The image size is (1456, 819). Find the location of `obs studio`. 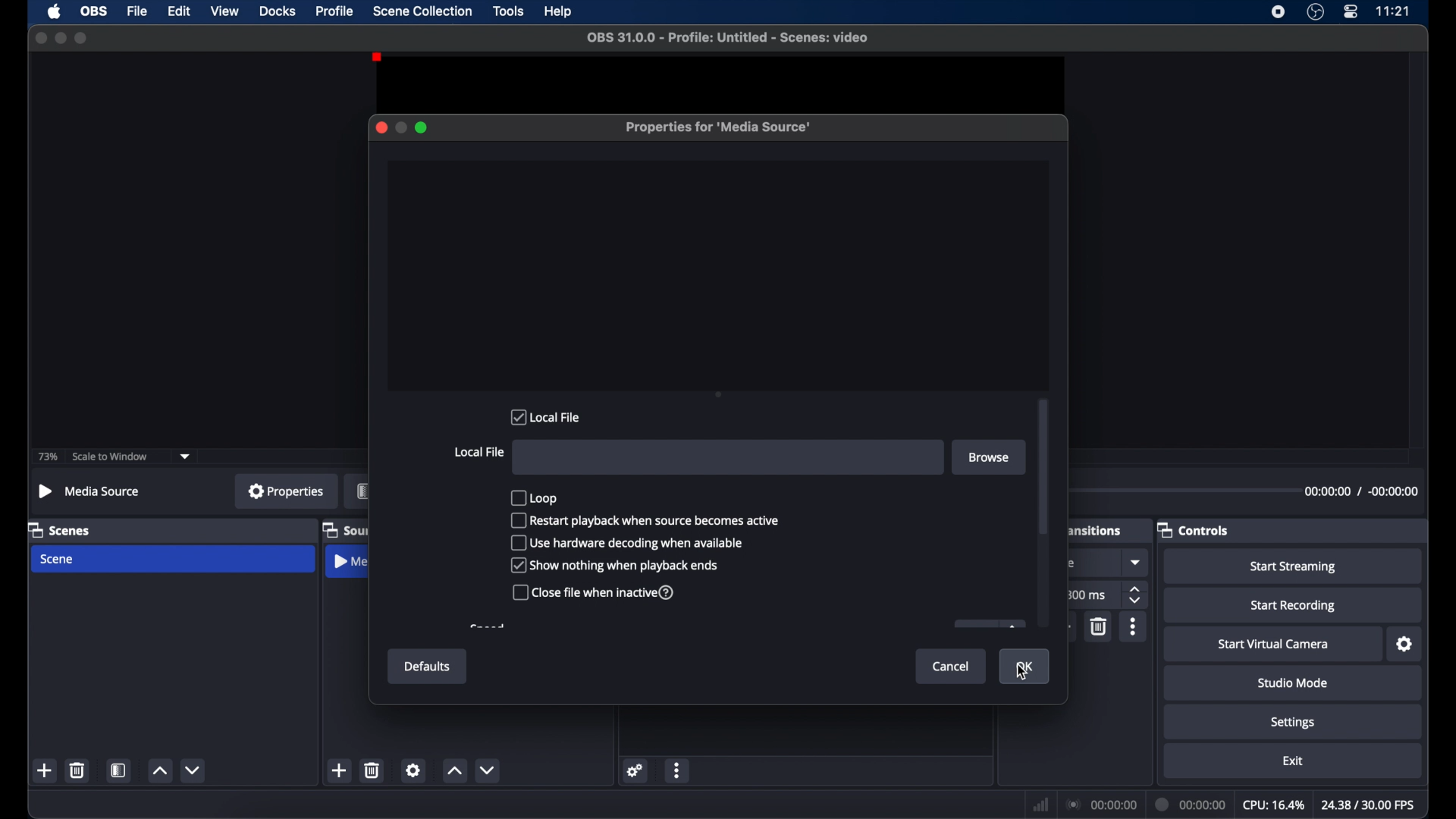

obs studio is located at coordinates (1316, 12).